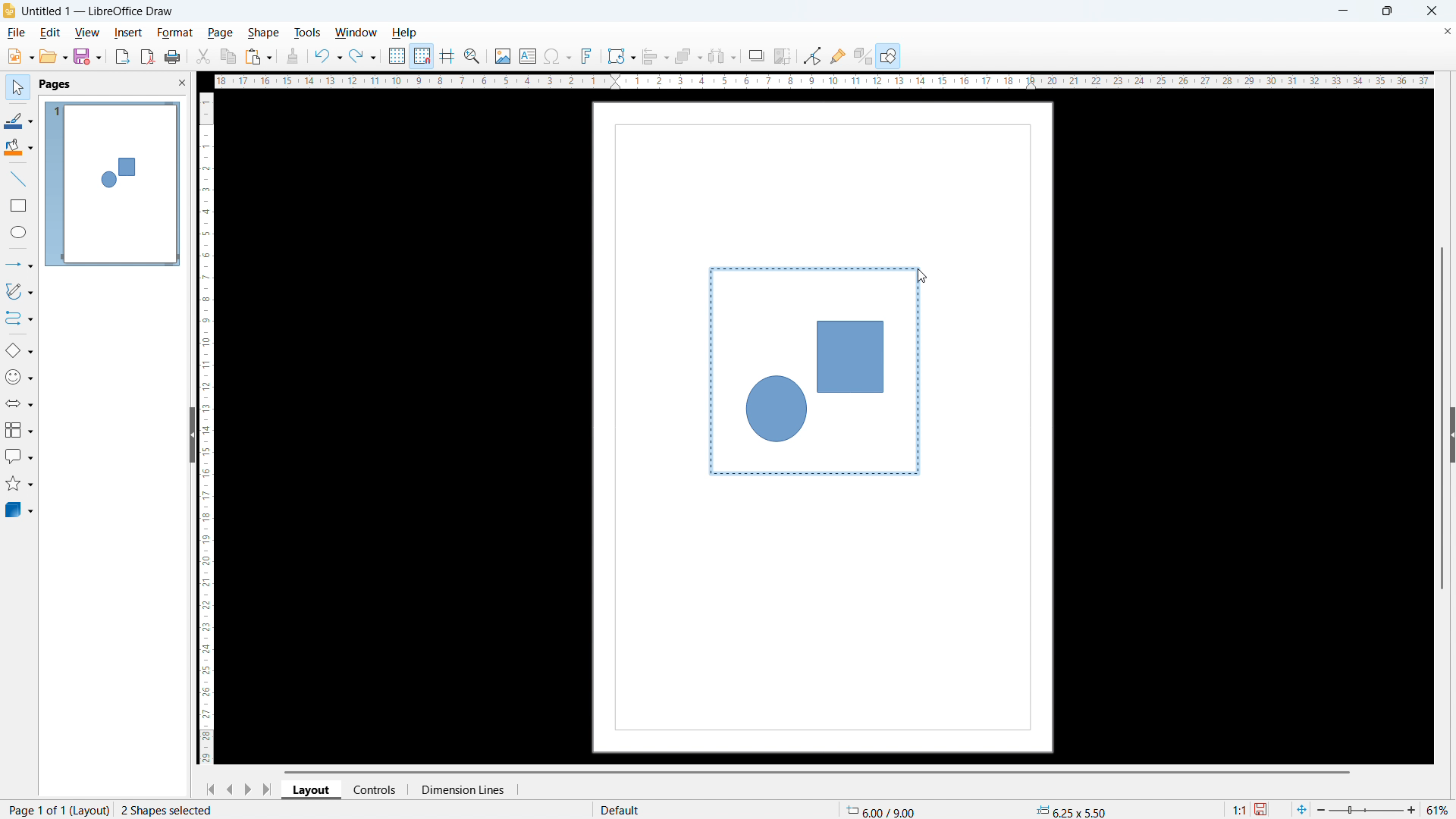 The image size is (1456, 819). Describe the element at coordinates (87, 33) in the screenshot. I see `view` at that location.